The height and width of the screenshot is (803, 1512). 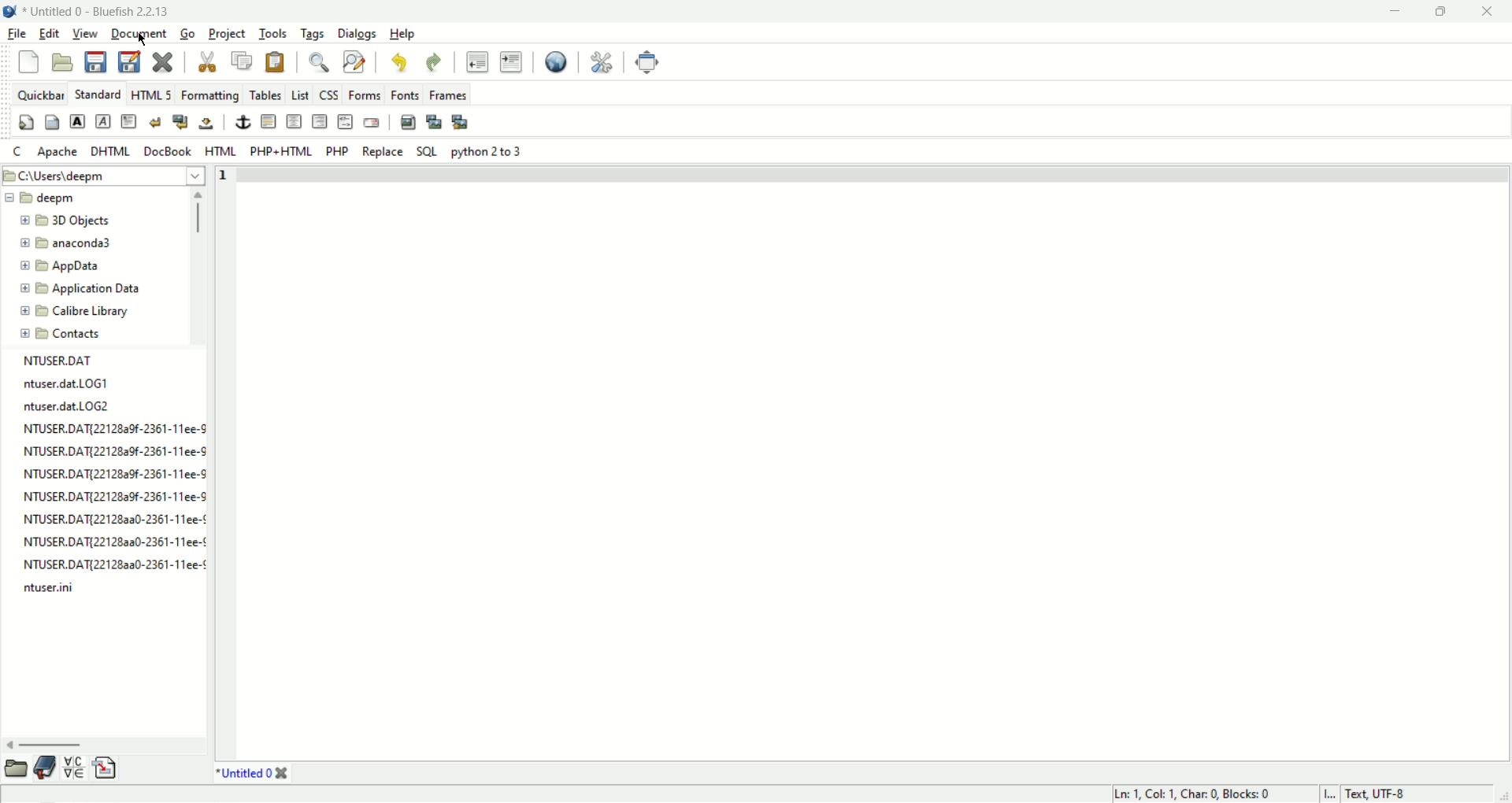 What do you see at coordinates (143, 41) in the screenshot?
I see `cursor` at bounding box center [143, 41].